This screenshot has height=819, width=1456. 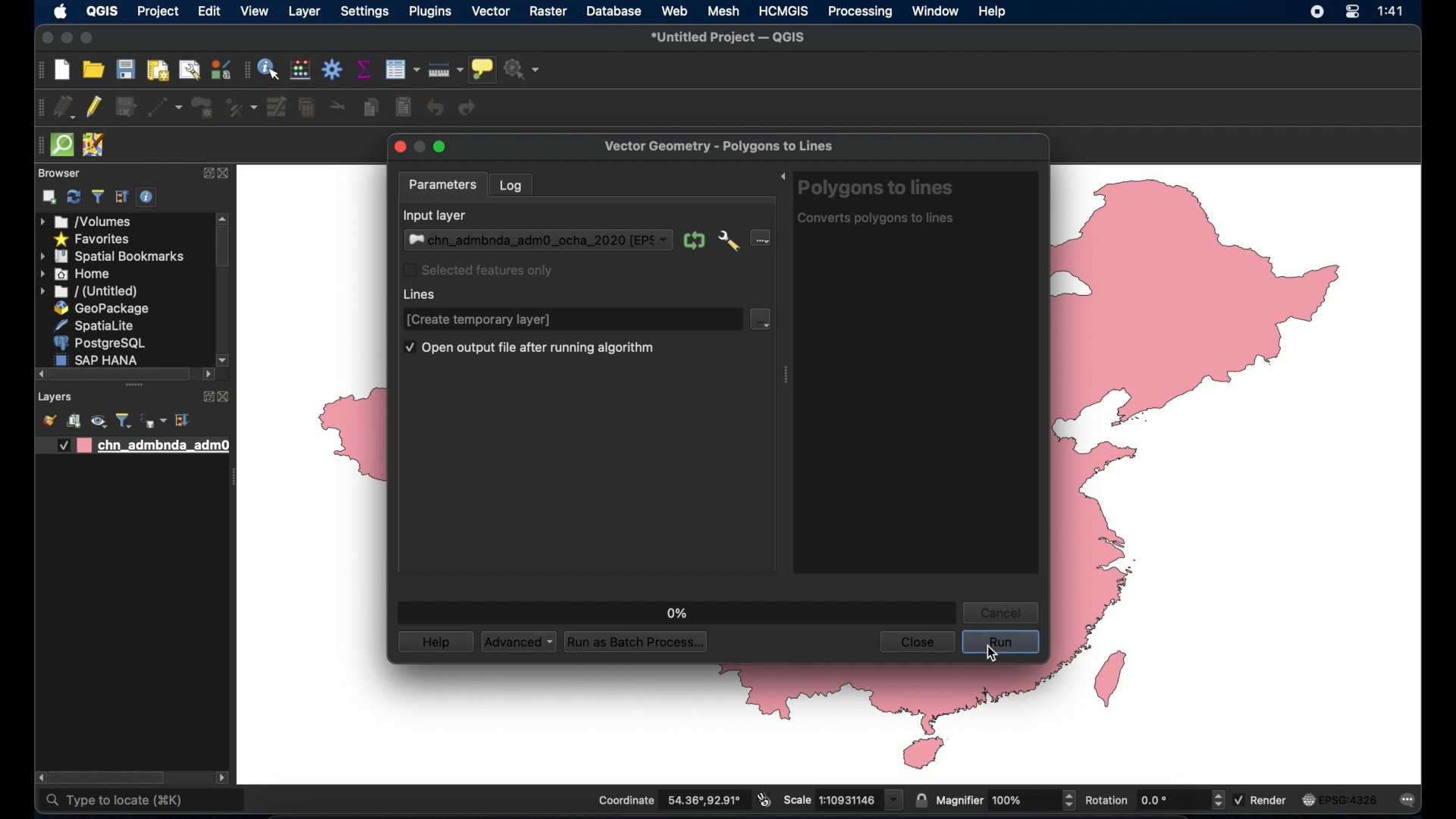 I want to click on delete selected, so click(x=306, y=108).